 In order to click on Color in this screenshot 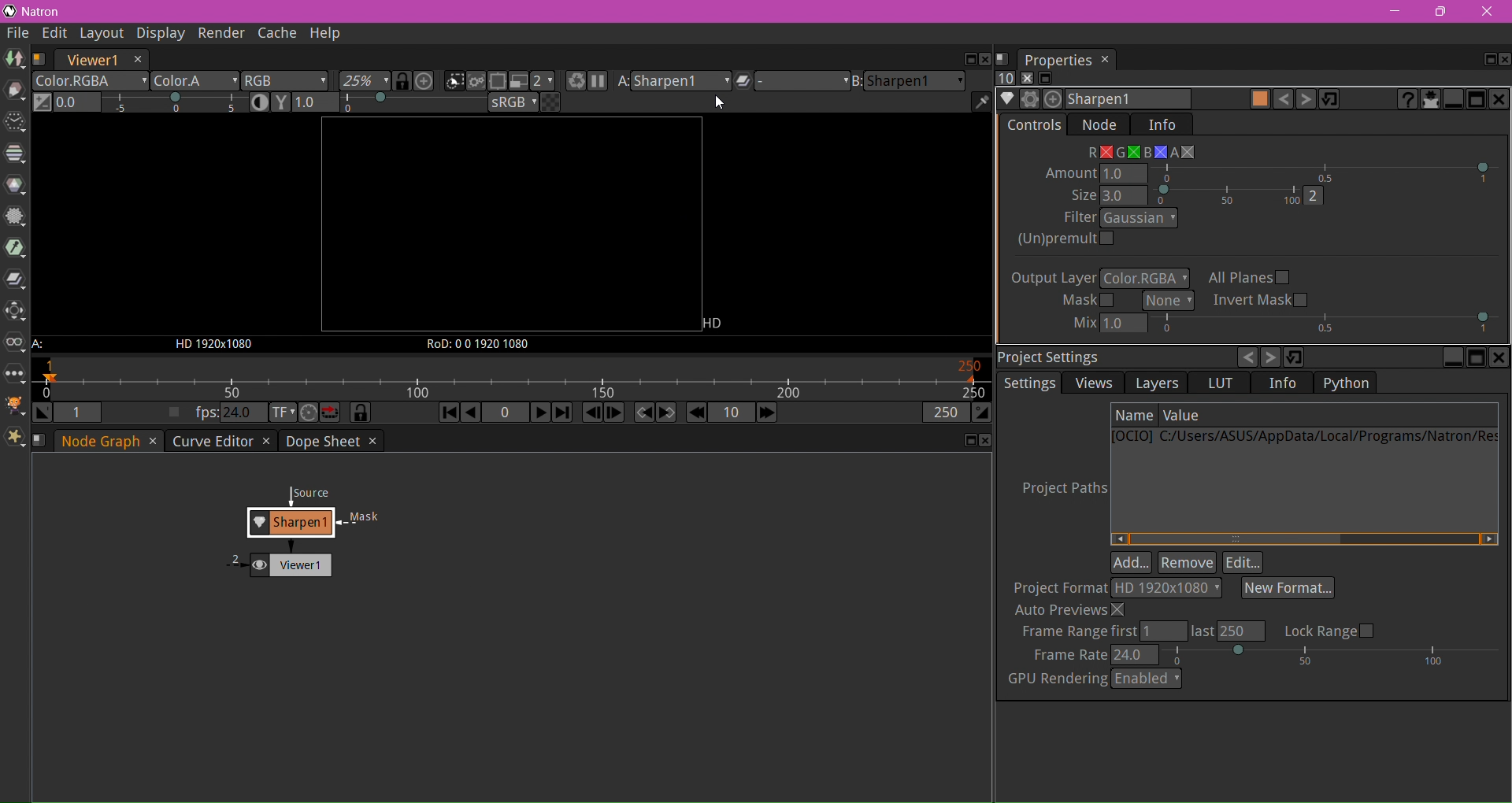, I will do `click(16, 185)`.